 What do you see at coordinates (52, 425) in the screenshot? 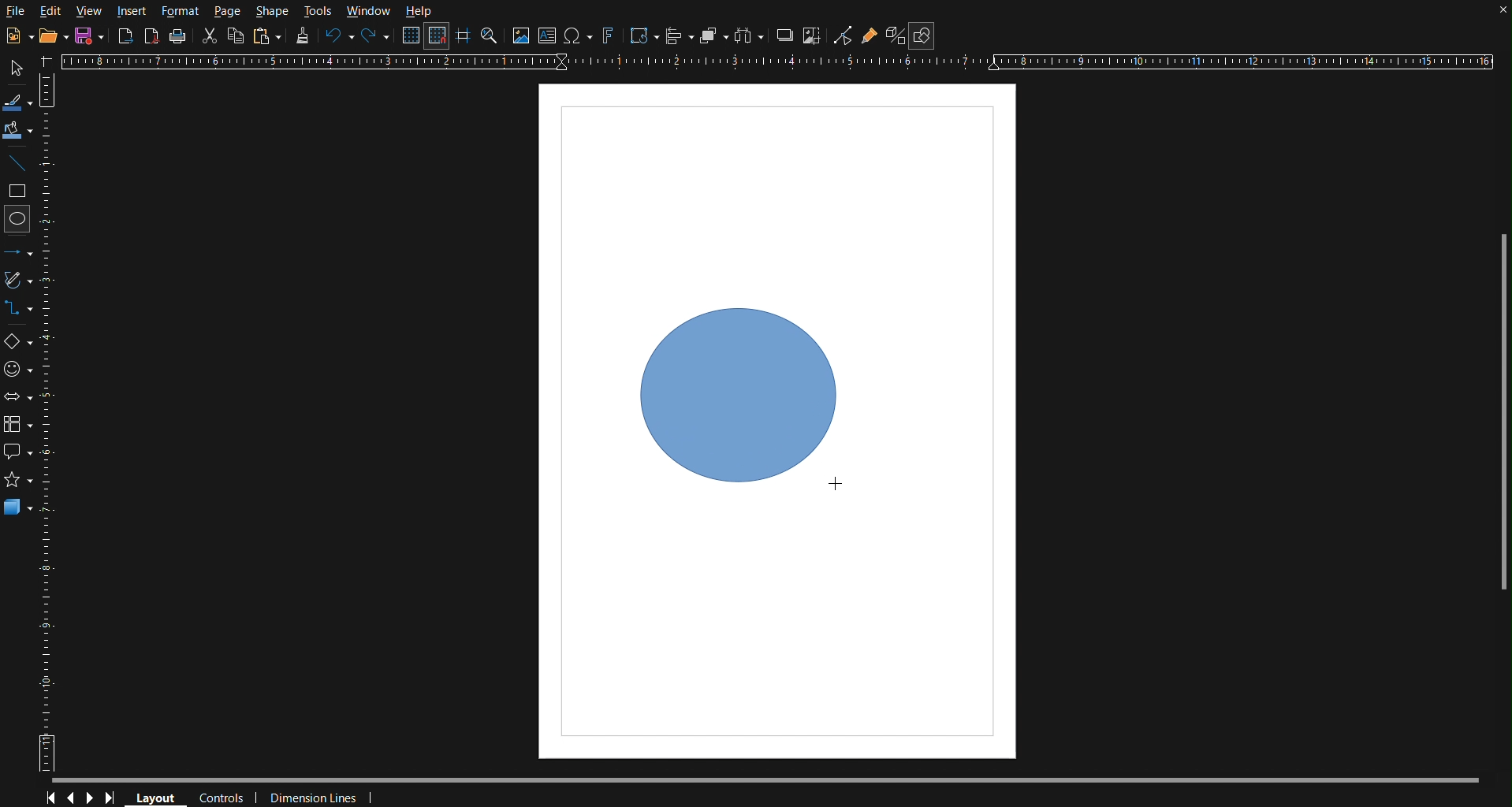
I see `Vertical Ruler` at bounding box center [52, 425].